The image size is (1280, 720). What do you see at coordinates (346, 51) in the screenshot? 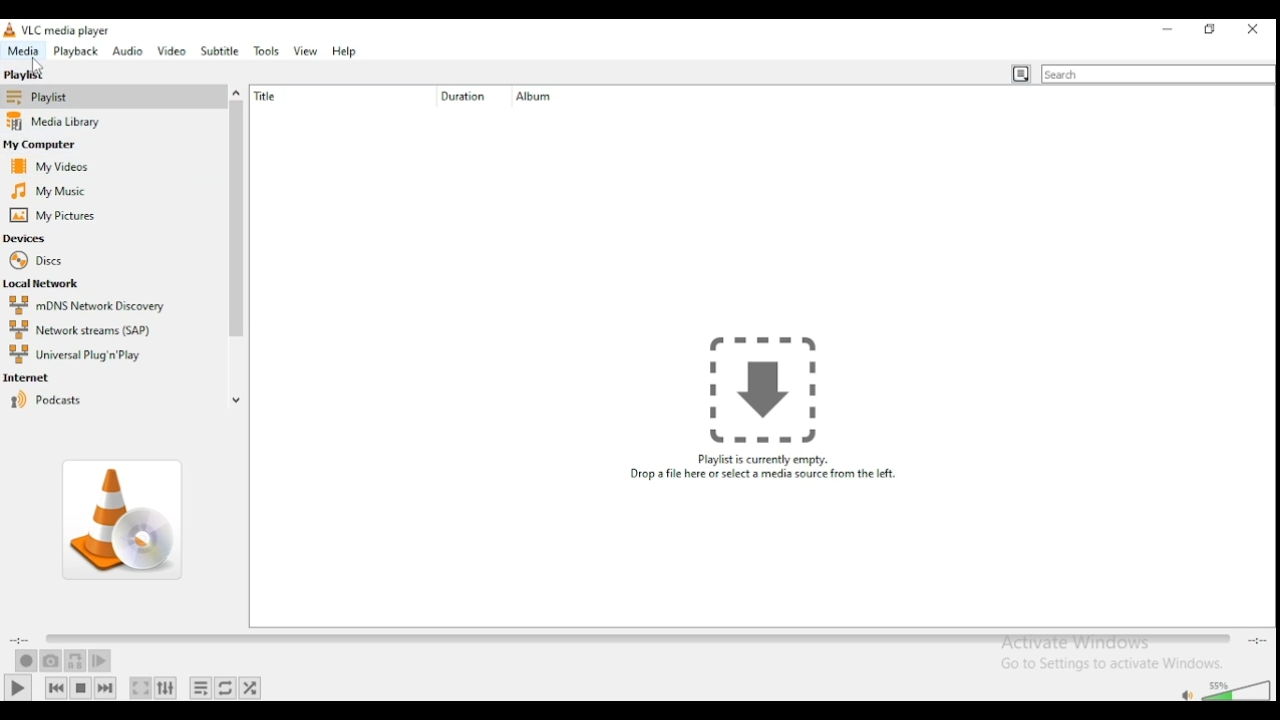
I see `help` at bounding box center [346, 51].